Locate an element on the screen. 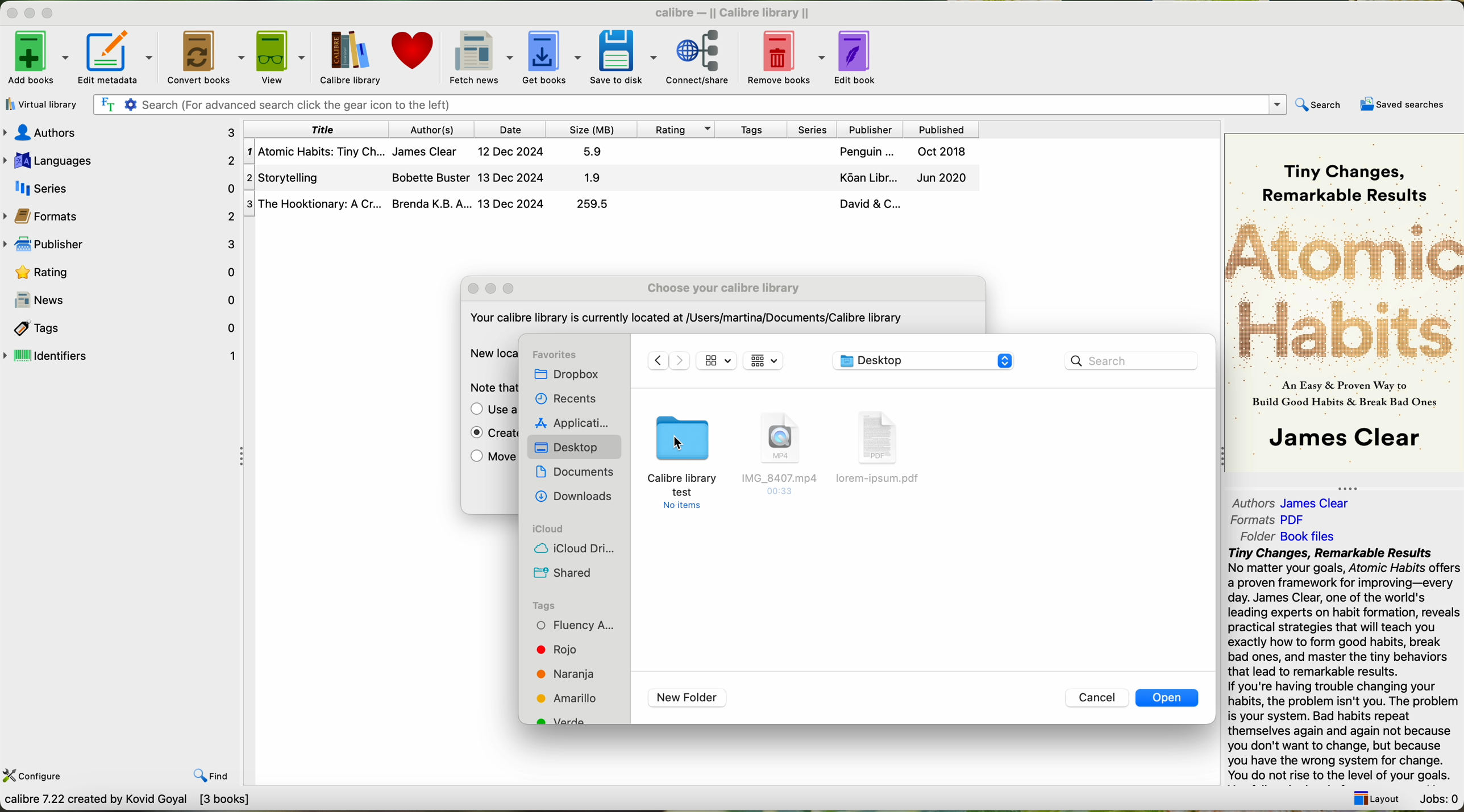 The height and width of the screenshot is (812, 1464). date is located at coordinates (510, 129).